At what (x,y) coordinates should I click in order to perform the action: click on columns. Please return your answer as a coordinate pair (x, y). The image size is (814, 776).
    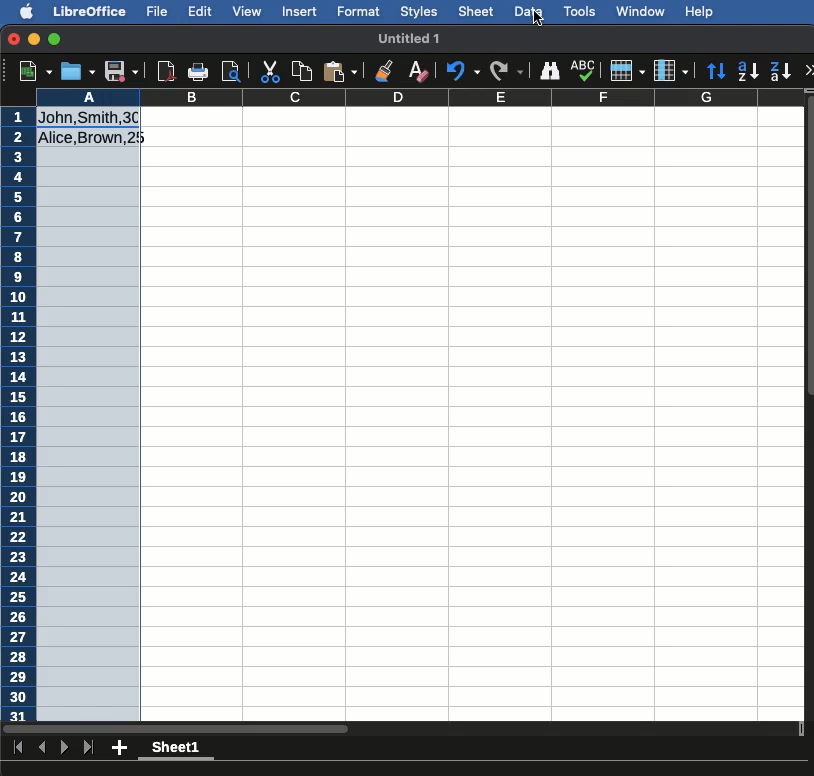
    Looking at the image, I should click on (470, 98).